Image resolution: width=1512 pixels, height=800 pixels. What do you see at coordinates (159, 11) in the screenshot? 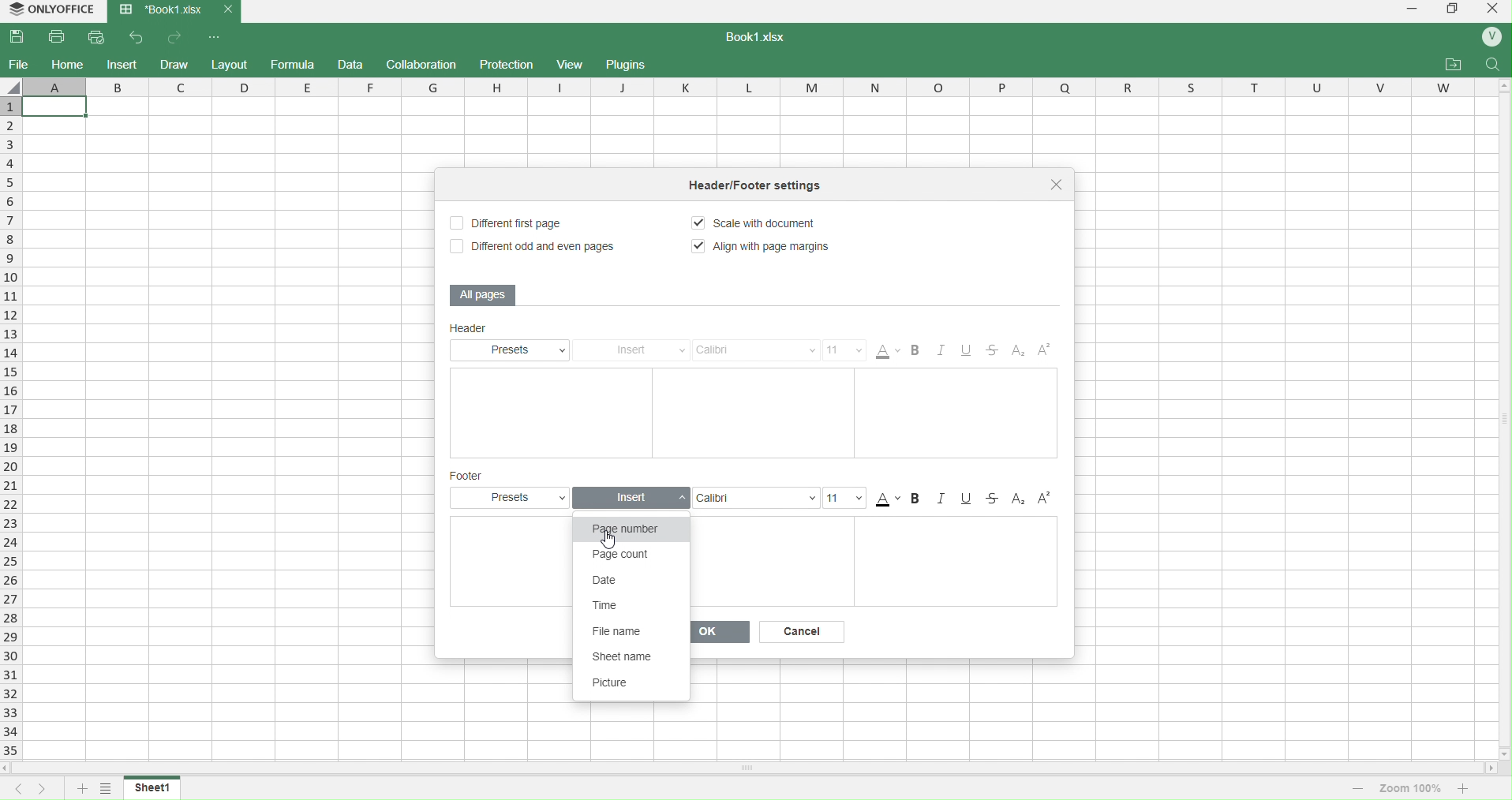
I see `Book1.xlsx` at bounding box center [159, 11].